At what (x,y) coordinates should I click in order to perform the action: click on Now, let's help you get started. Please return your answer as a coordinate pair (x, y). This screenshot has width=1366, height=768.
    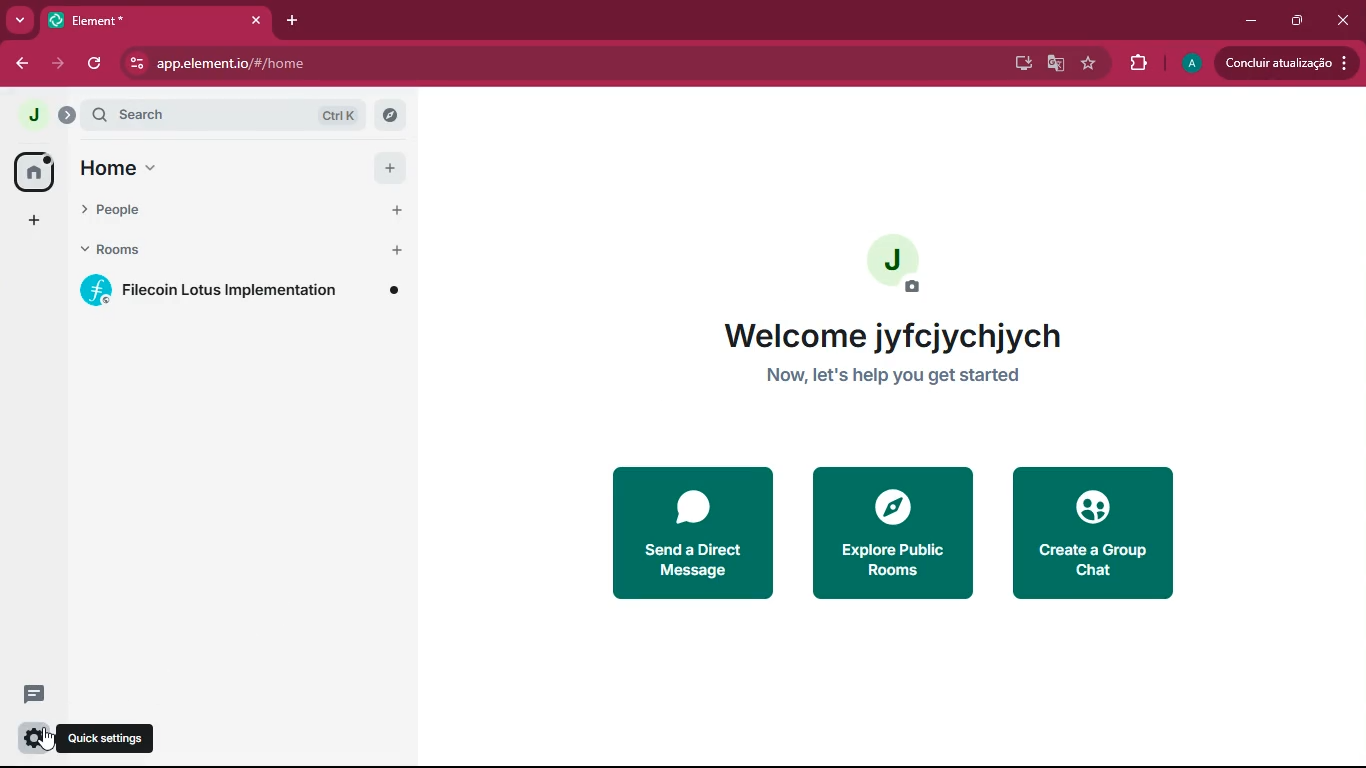
    Looking at the image, I should click on (929, 379).